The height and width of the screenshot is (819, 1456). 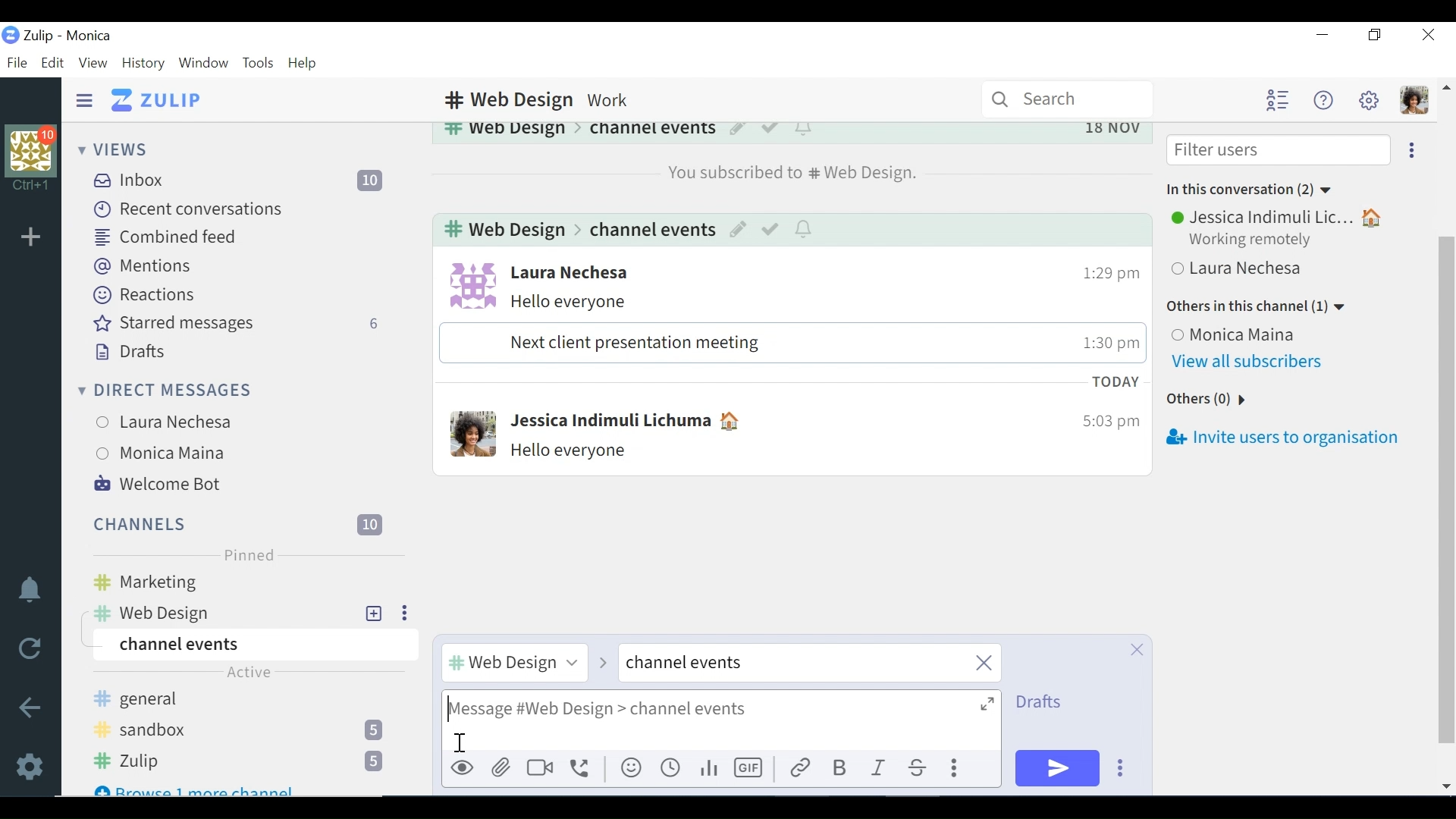 I want to click on user, so click(x=571, y=271).